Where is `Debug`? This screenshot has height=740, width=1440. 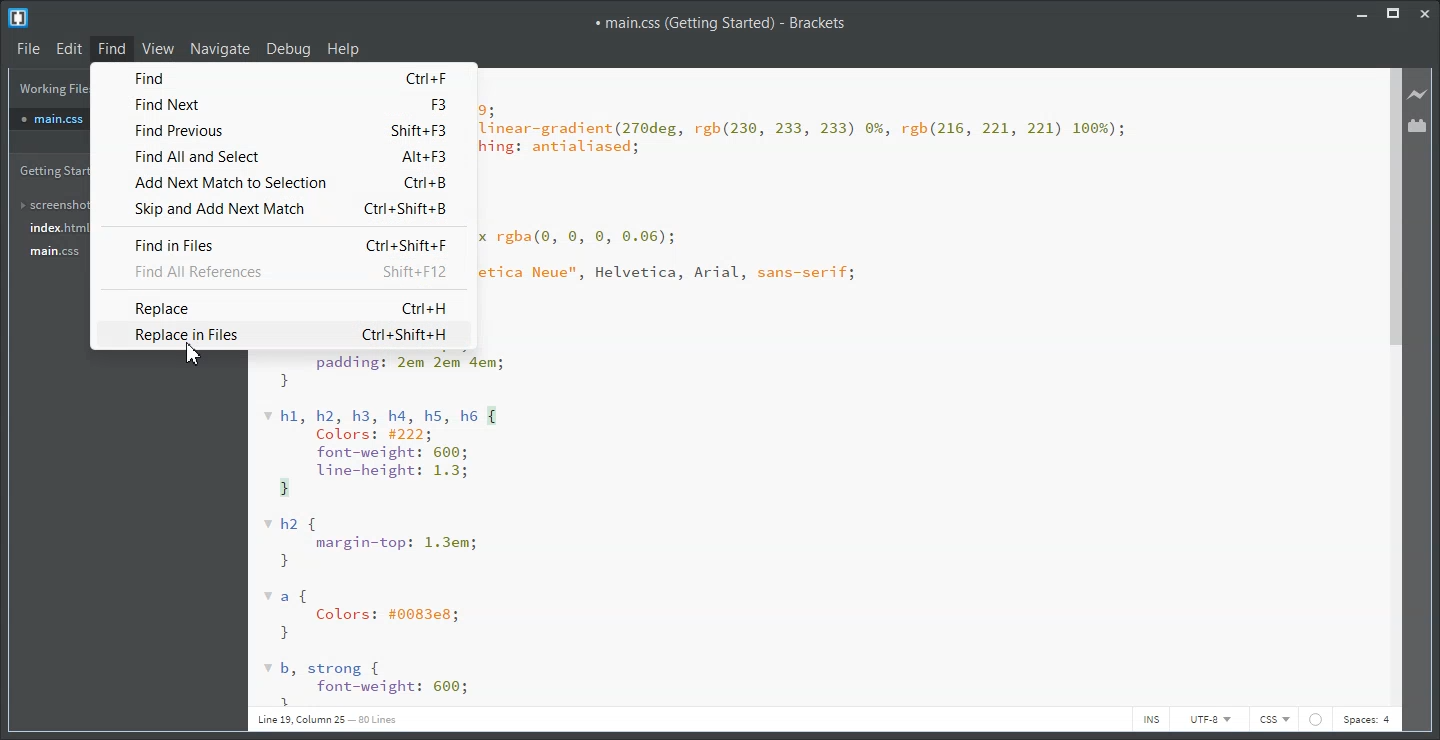
Debug is located at coordinates (289, 48).